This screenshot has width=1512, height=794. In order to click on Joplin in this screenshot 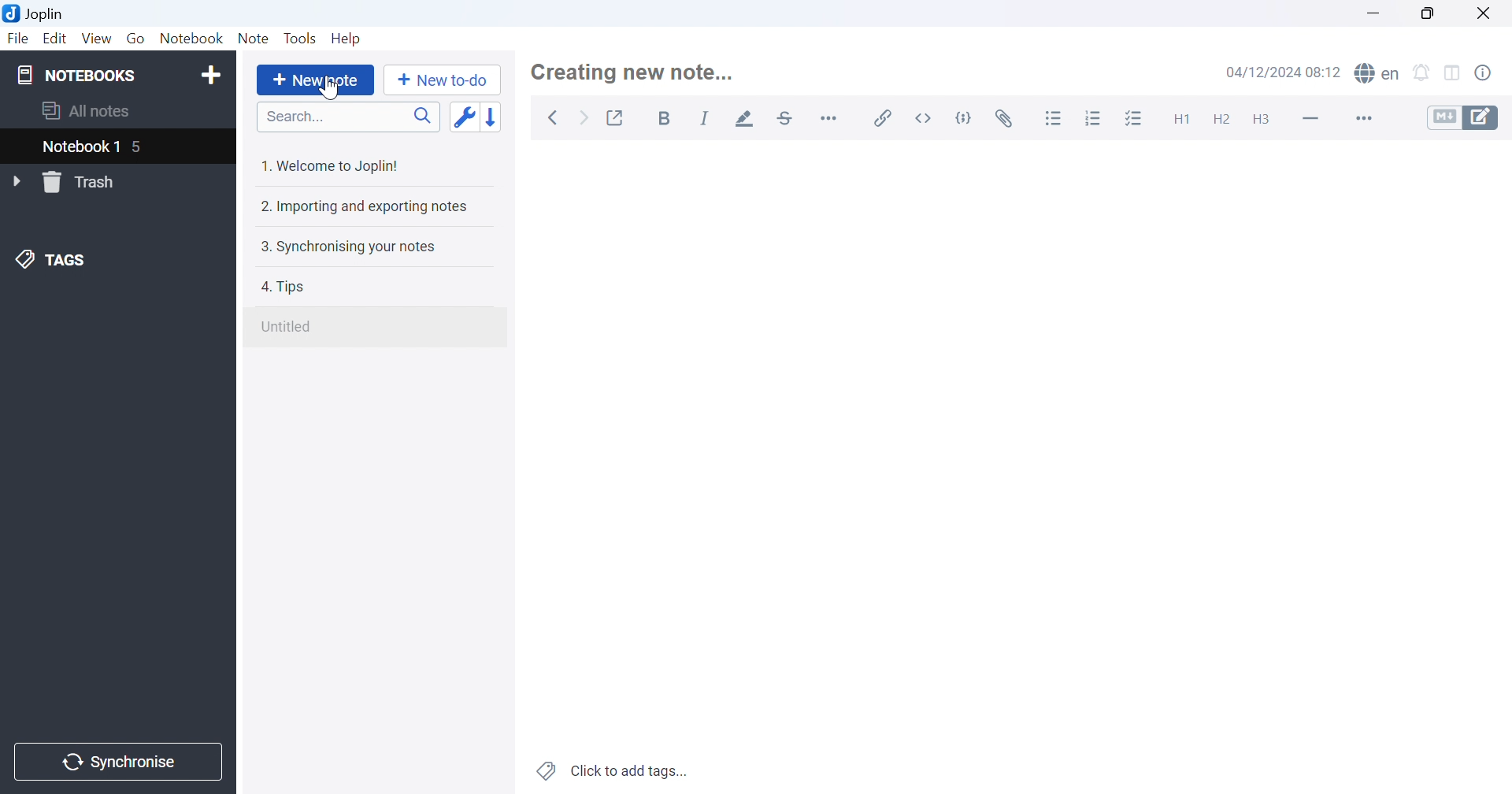, I will do `click(35, 16)`.